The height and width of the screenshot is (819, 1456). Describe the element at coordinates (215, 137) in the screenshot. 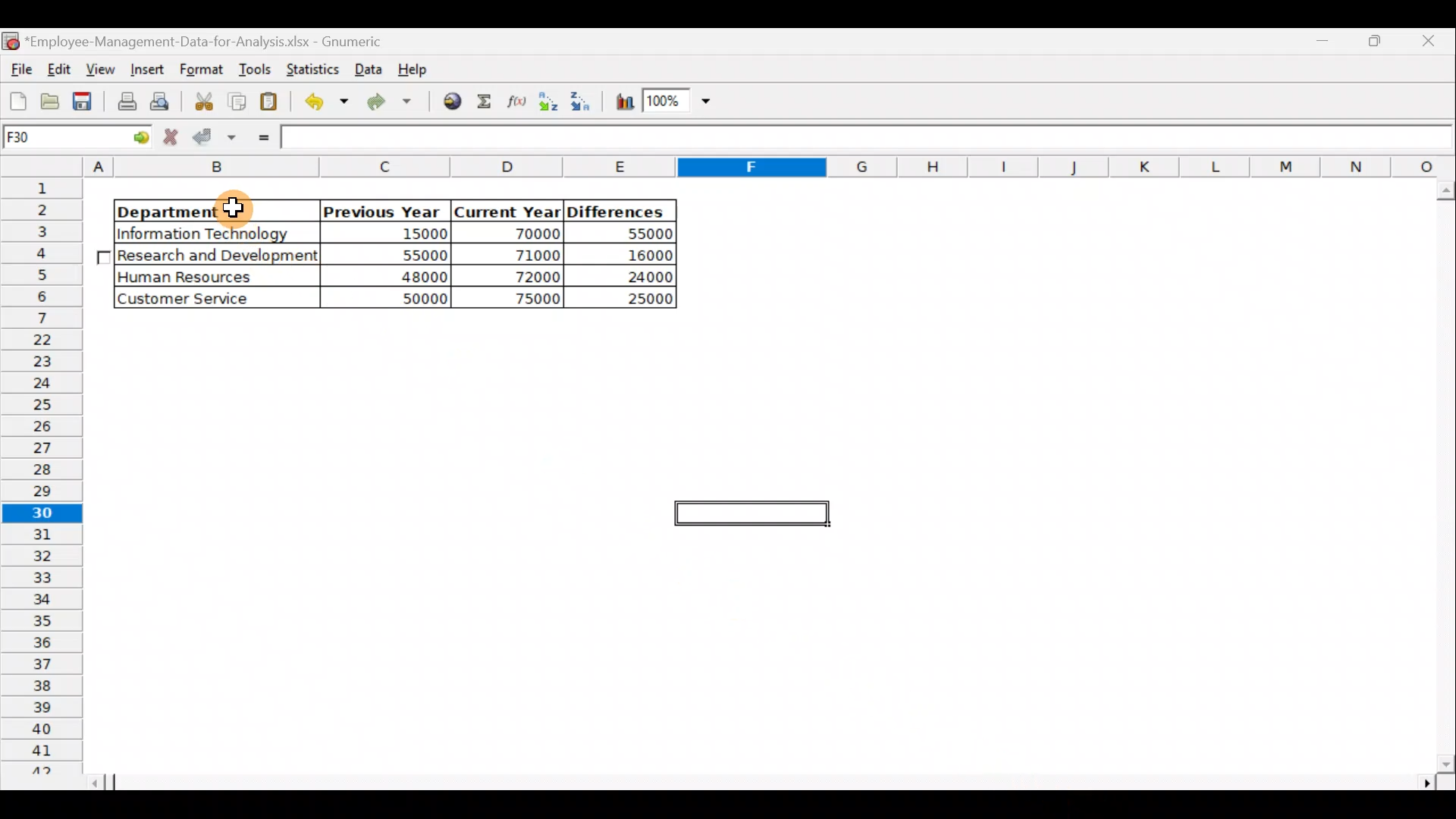

I see `Accept change` at that location.